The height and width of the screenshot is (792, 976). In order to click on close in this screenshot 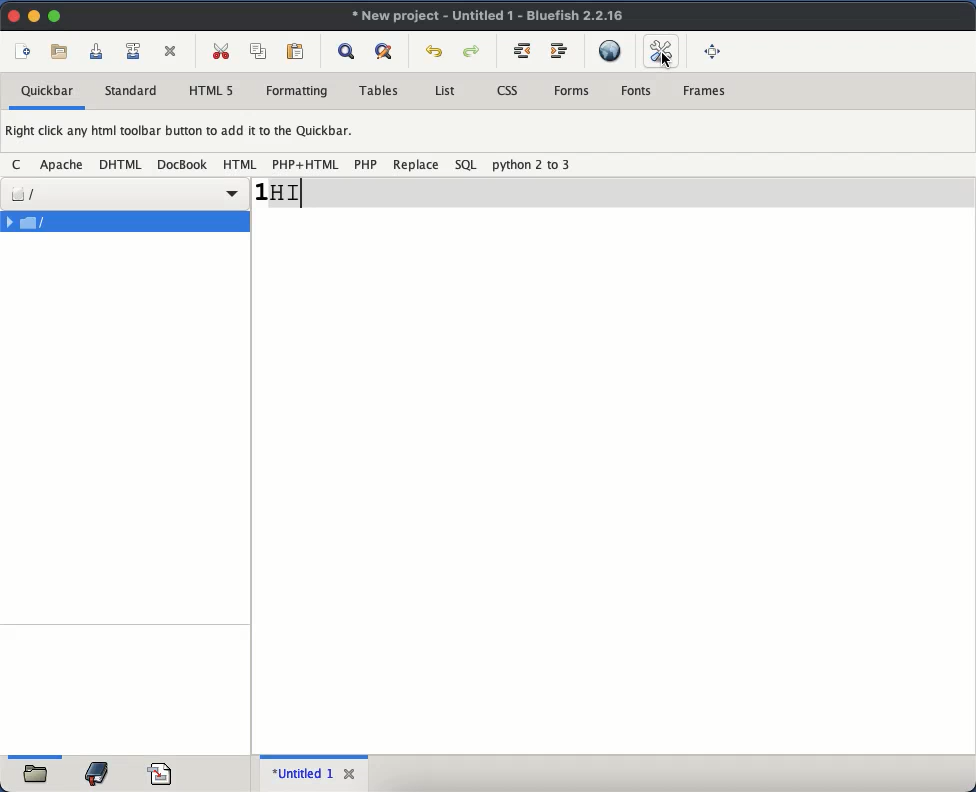, I will do `click(15, 17)`.